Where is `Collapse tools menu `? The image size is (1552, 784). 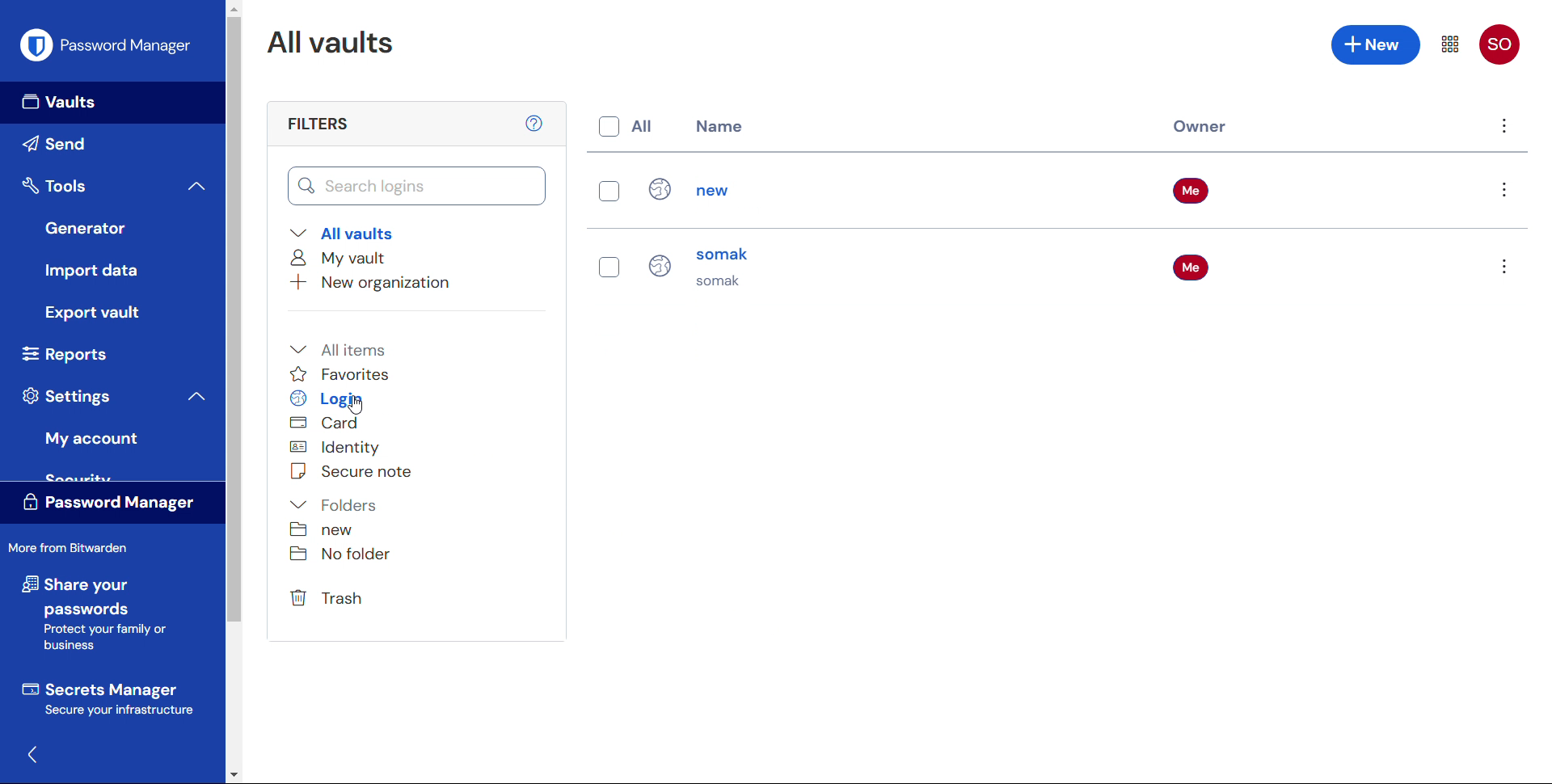
Collapse tools menu  is located at coordinates (196, 185).